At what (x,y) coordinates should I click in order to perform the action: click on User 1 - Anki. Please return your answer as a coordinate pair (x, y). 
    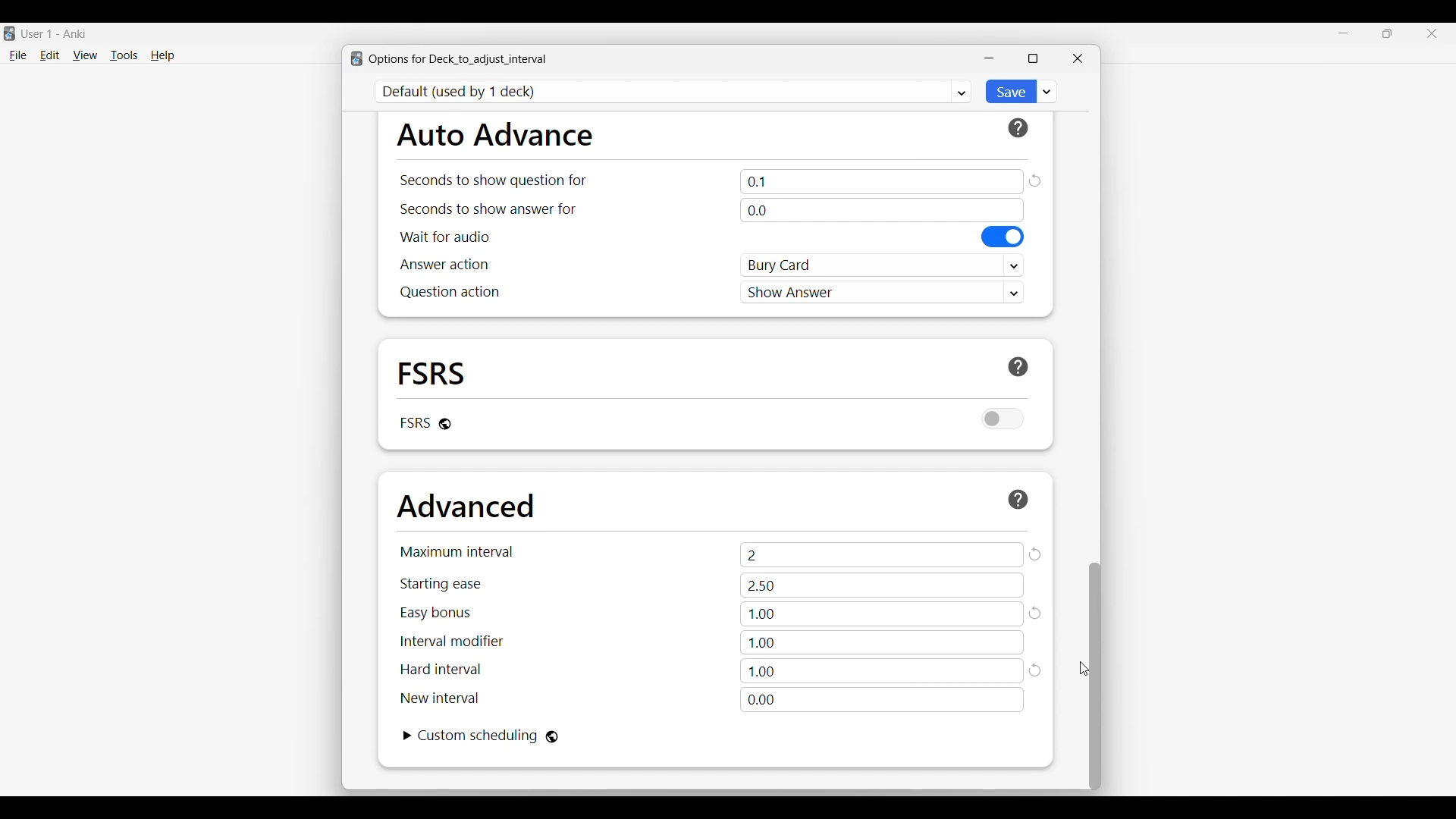
    Looking at the image, I should click on (55, 33).